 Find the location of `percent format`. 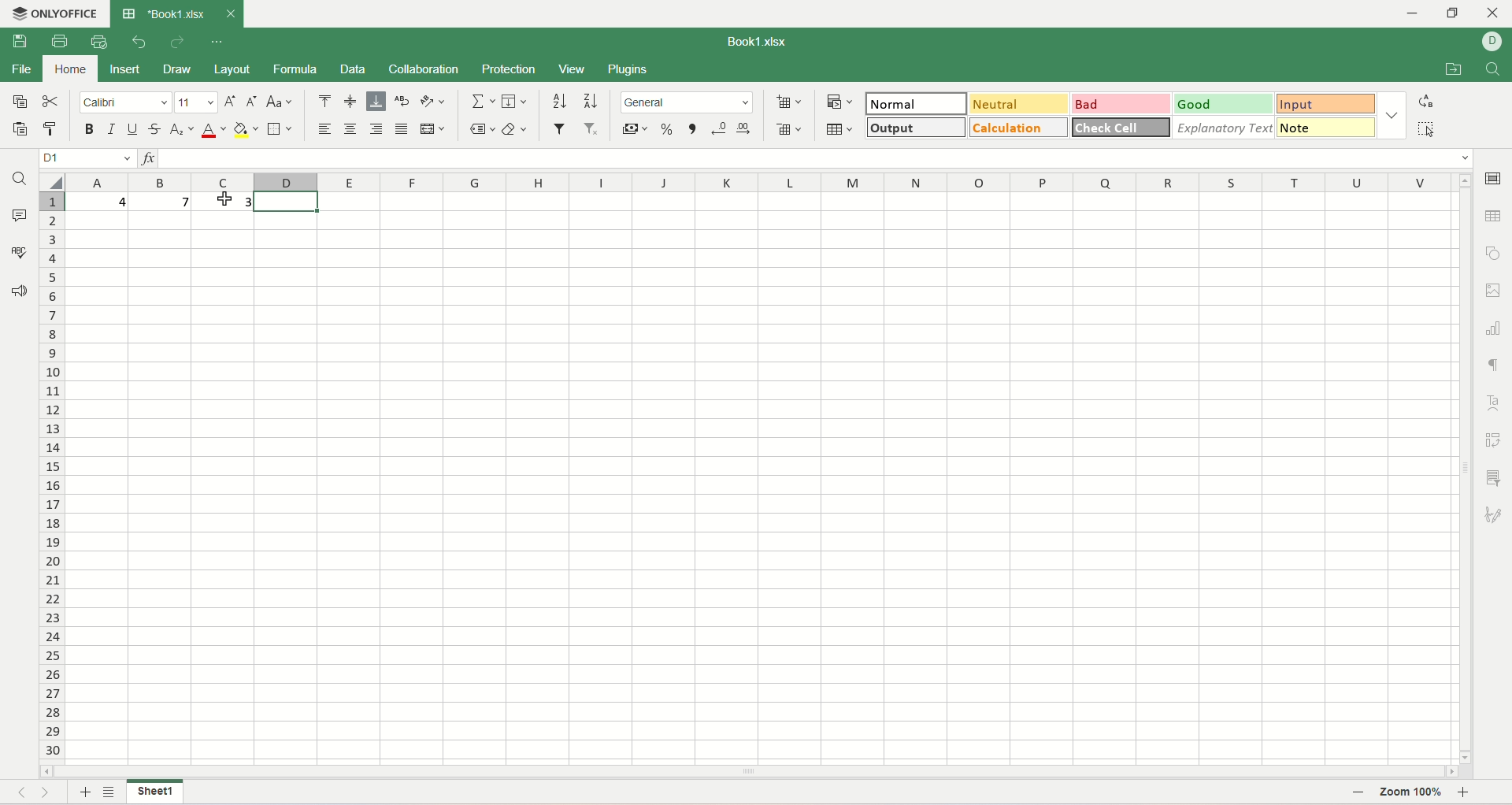

percent format is located at coordinates (666, 128).